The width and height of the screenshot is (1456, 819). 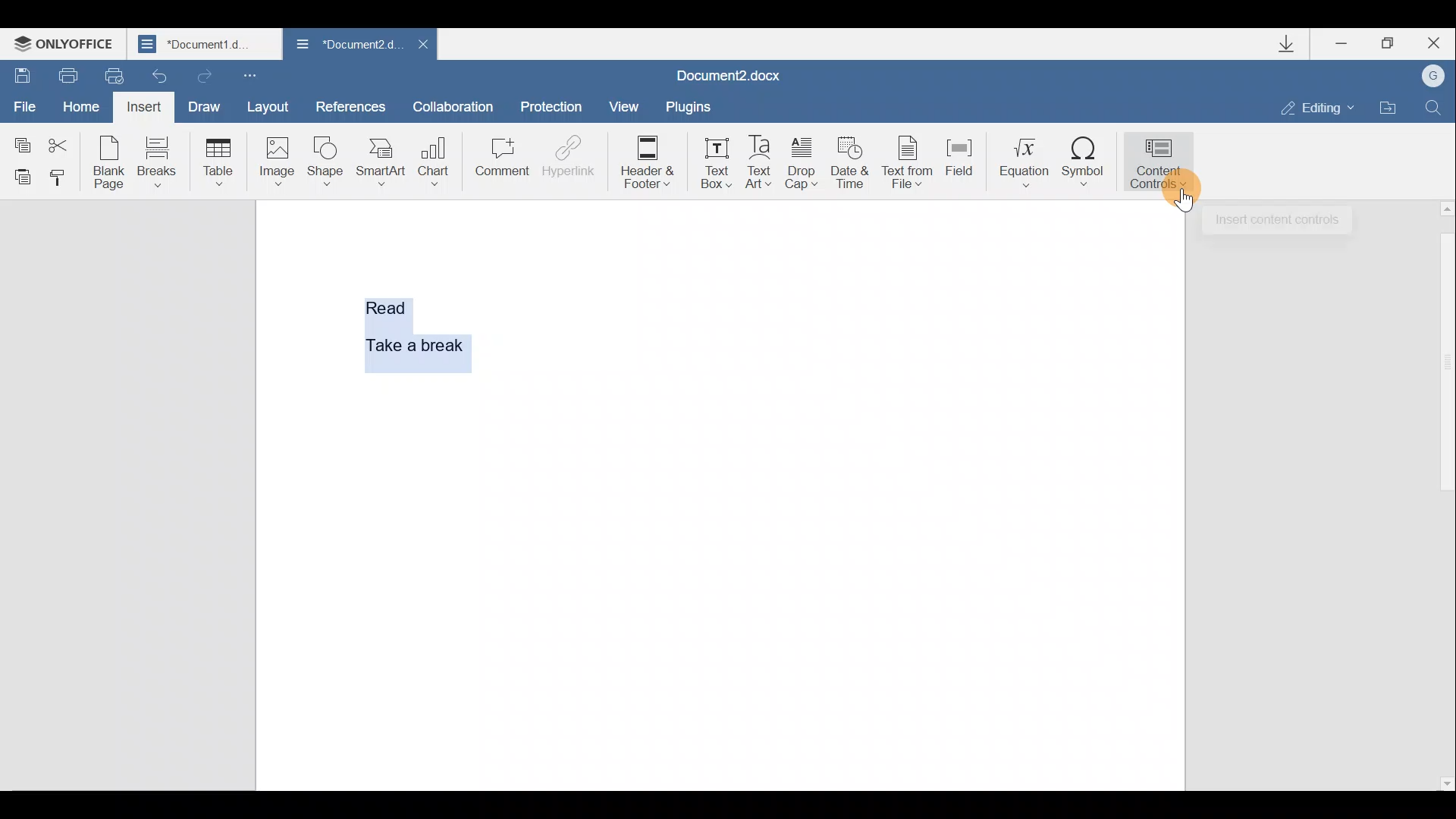 I want to click on Protection, so click(x=554, y=101).